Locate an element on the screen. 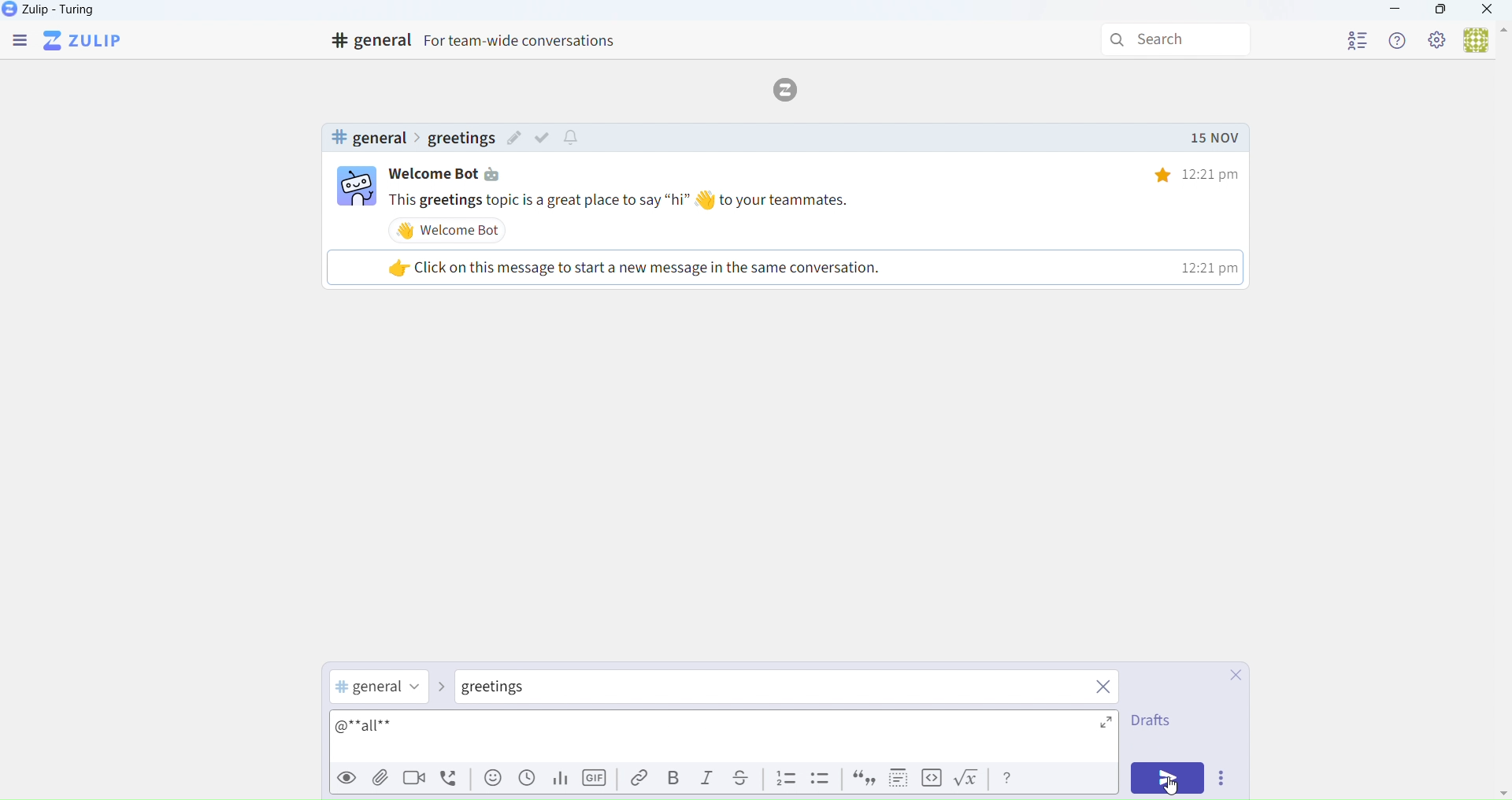 The width and height of the screenshot is (1512, 800). Close is located at coordinates (1228, 676).